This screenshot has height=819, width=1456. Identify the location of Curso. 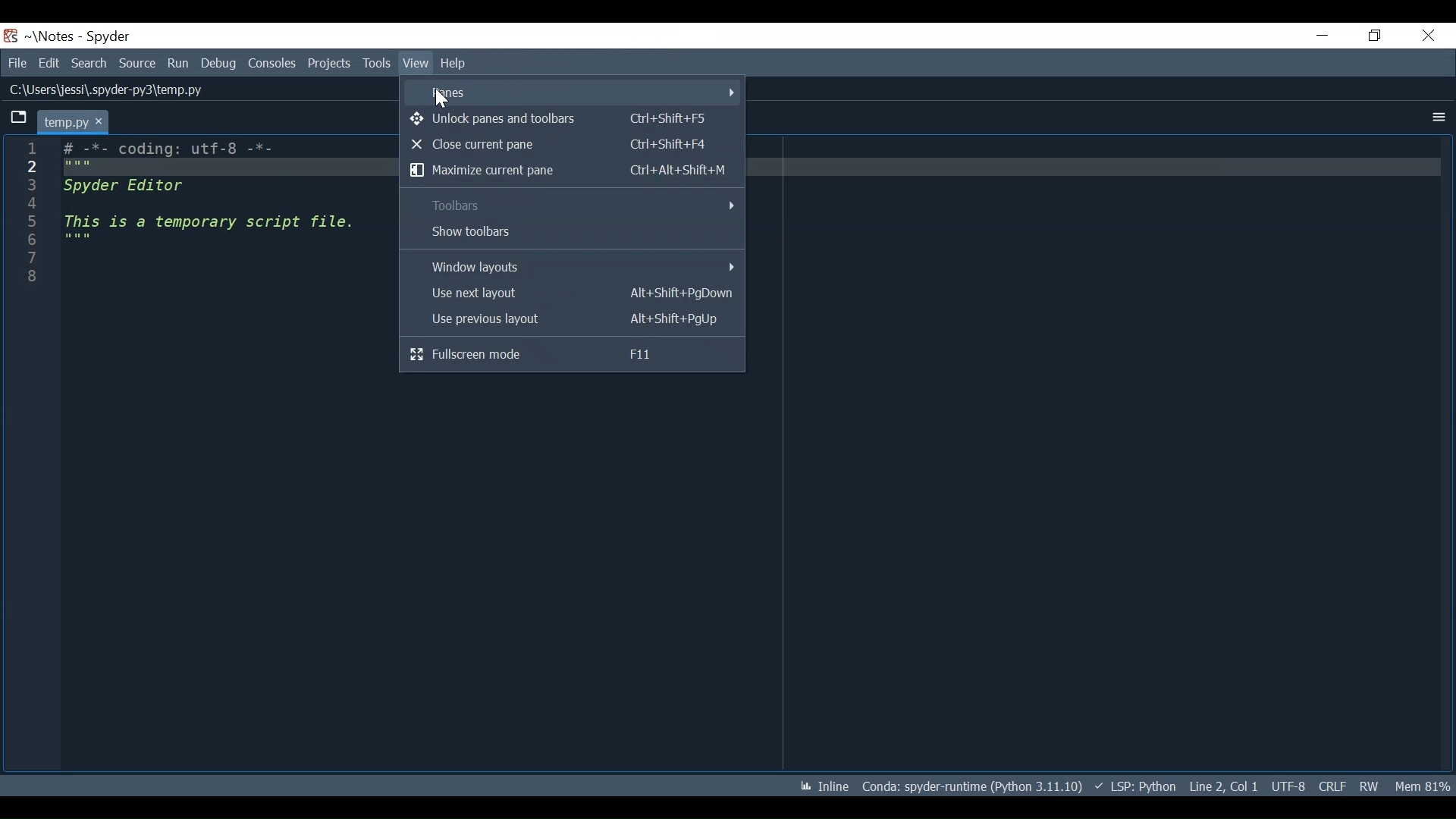
(1288, 787).